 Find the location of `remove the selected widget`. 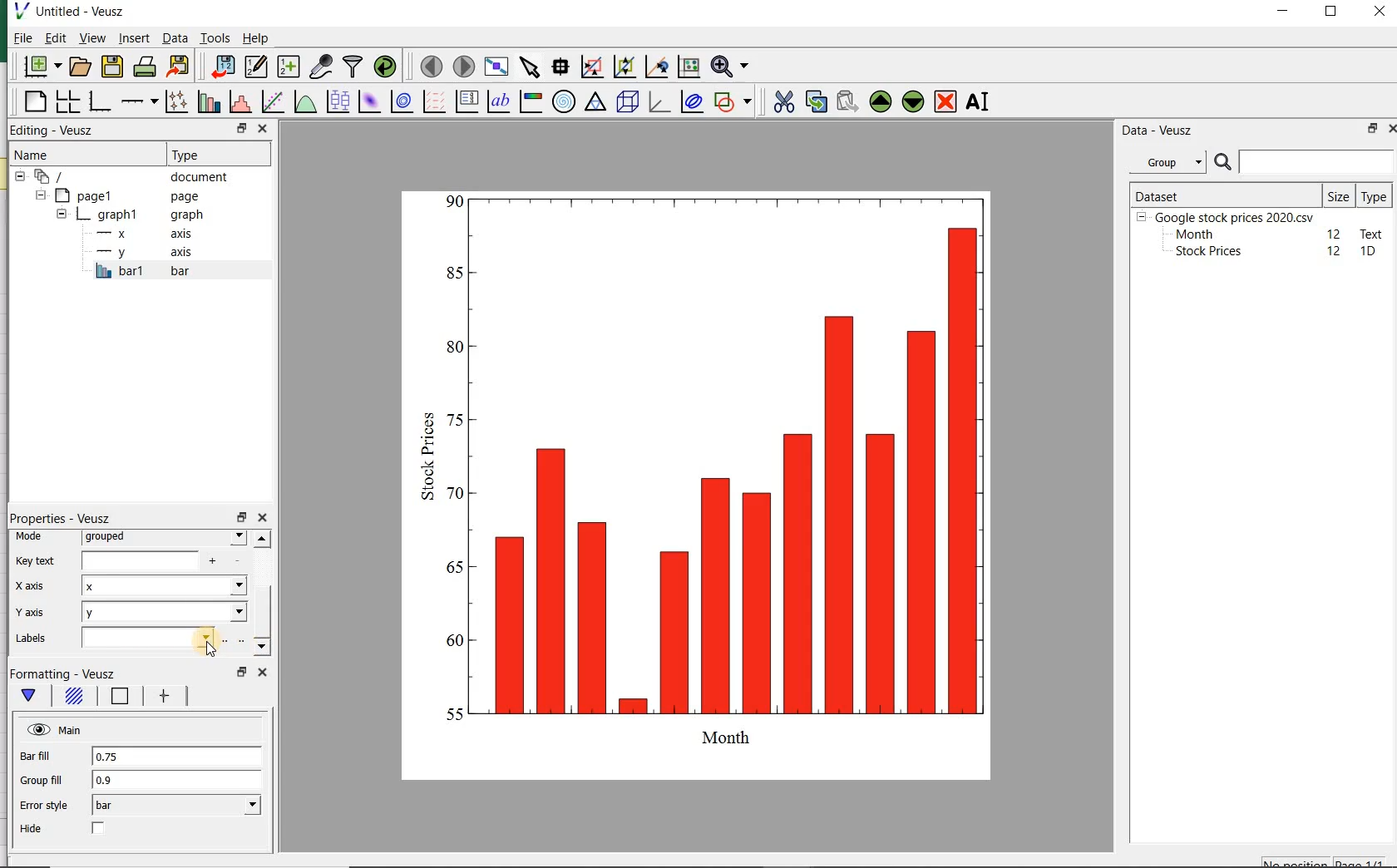

remove the selected widget is located at coordinates (946, 101).